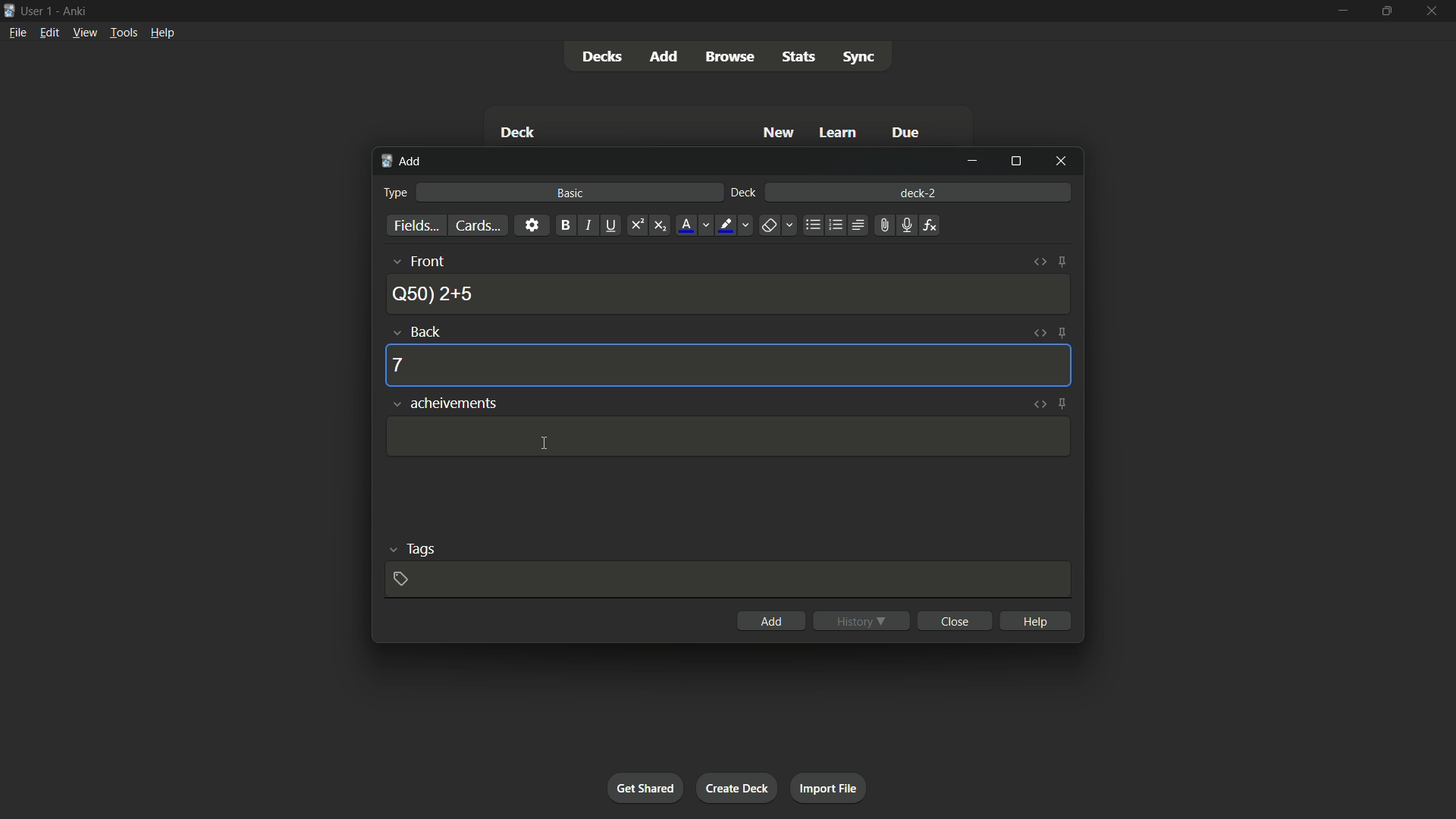  I want to click on get shared, so click(645, 789).